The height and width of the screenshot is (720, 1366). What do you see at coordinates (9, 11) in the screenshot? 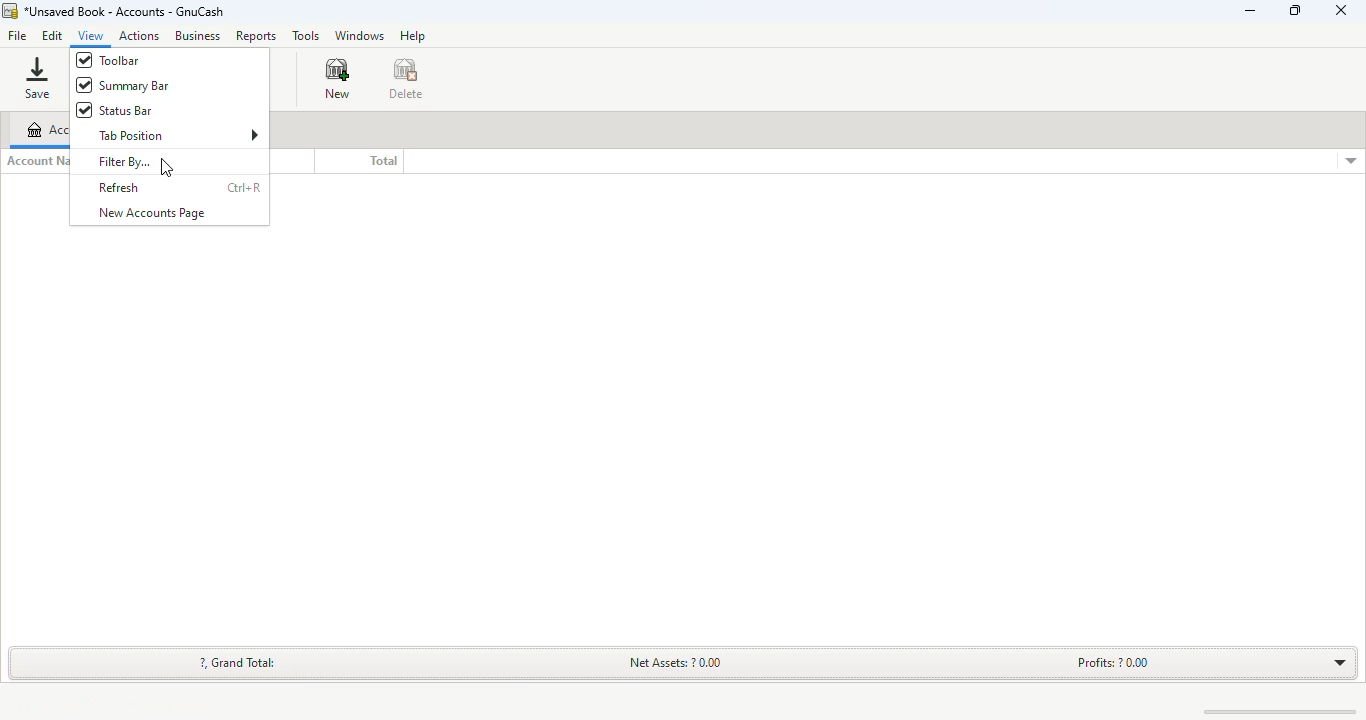
I see `logo` at bounding box center [9, 11].